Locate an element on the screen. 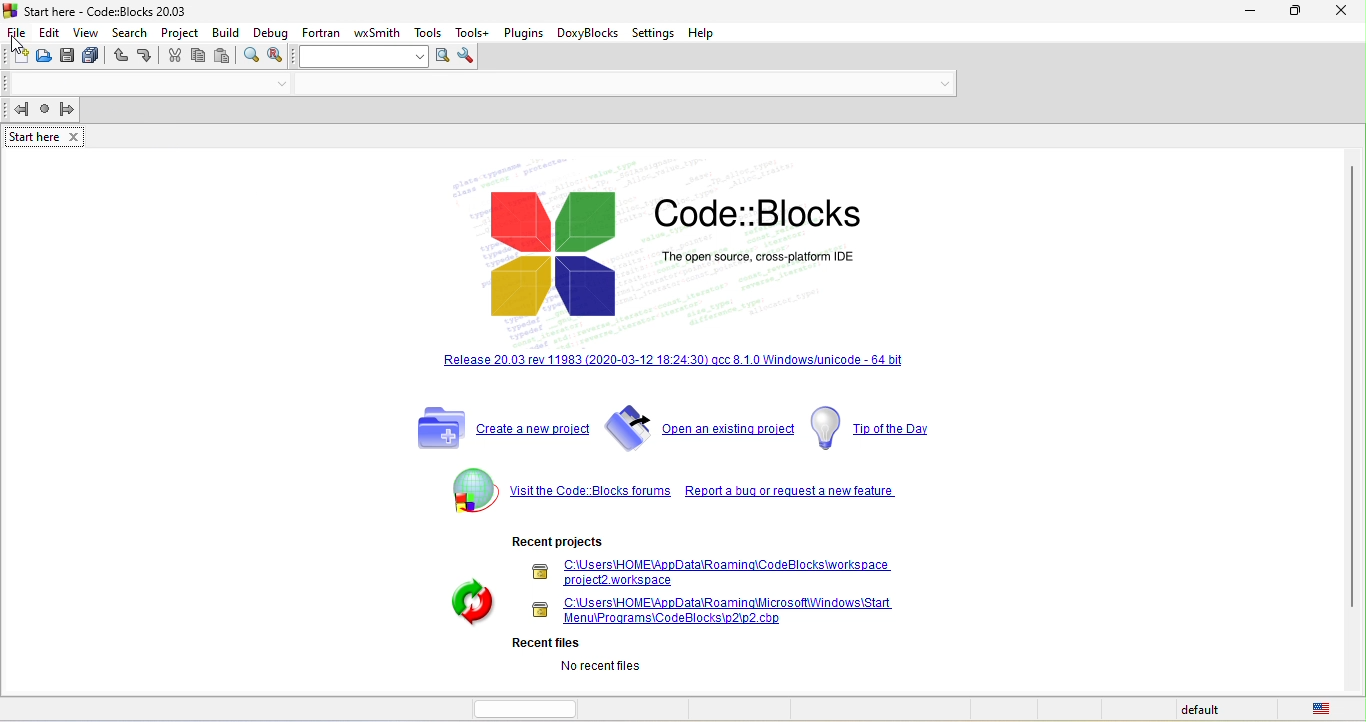 The height and width of the screenshot is (722, 1366). project is located at coordinates (181, 31).